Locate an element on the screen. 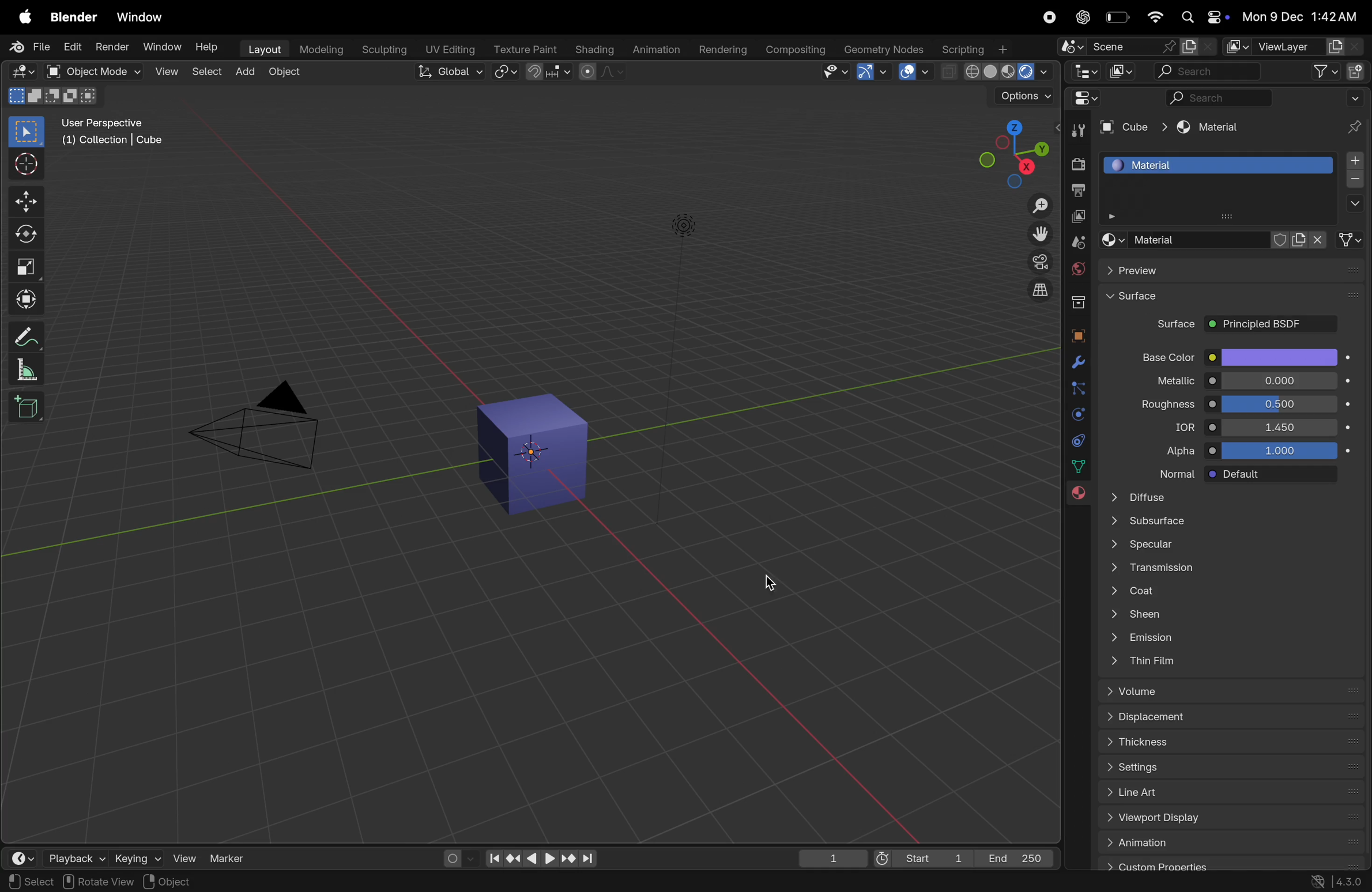 This screenshot has height=892, width=1372. snap is located at coordinates (548, 73).